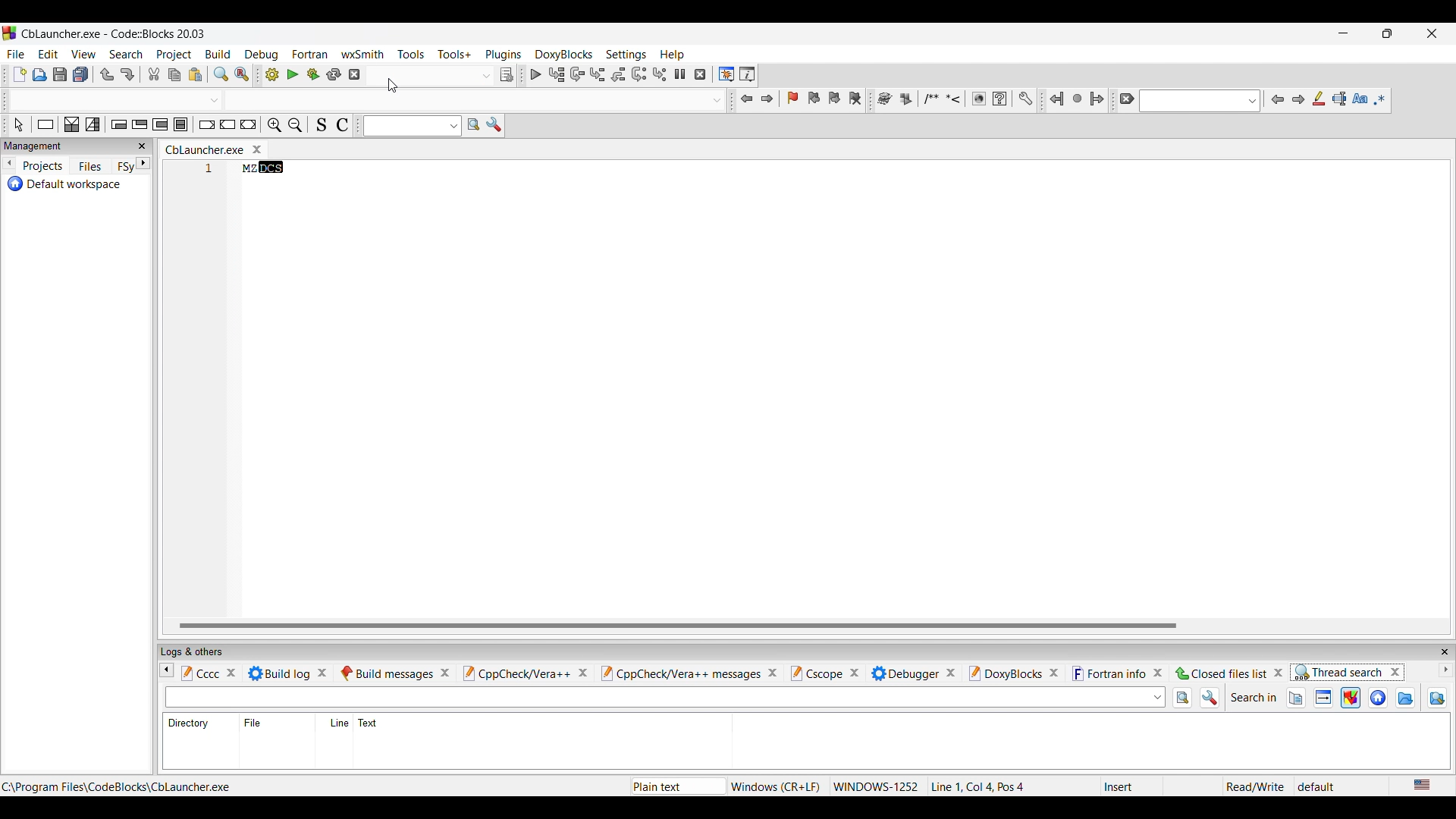  What do you see at coordinates (249, 124) in the screenshot?
I see `Return instruction` at bounding box center [249, 124].